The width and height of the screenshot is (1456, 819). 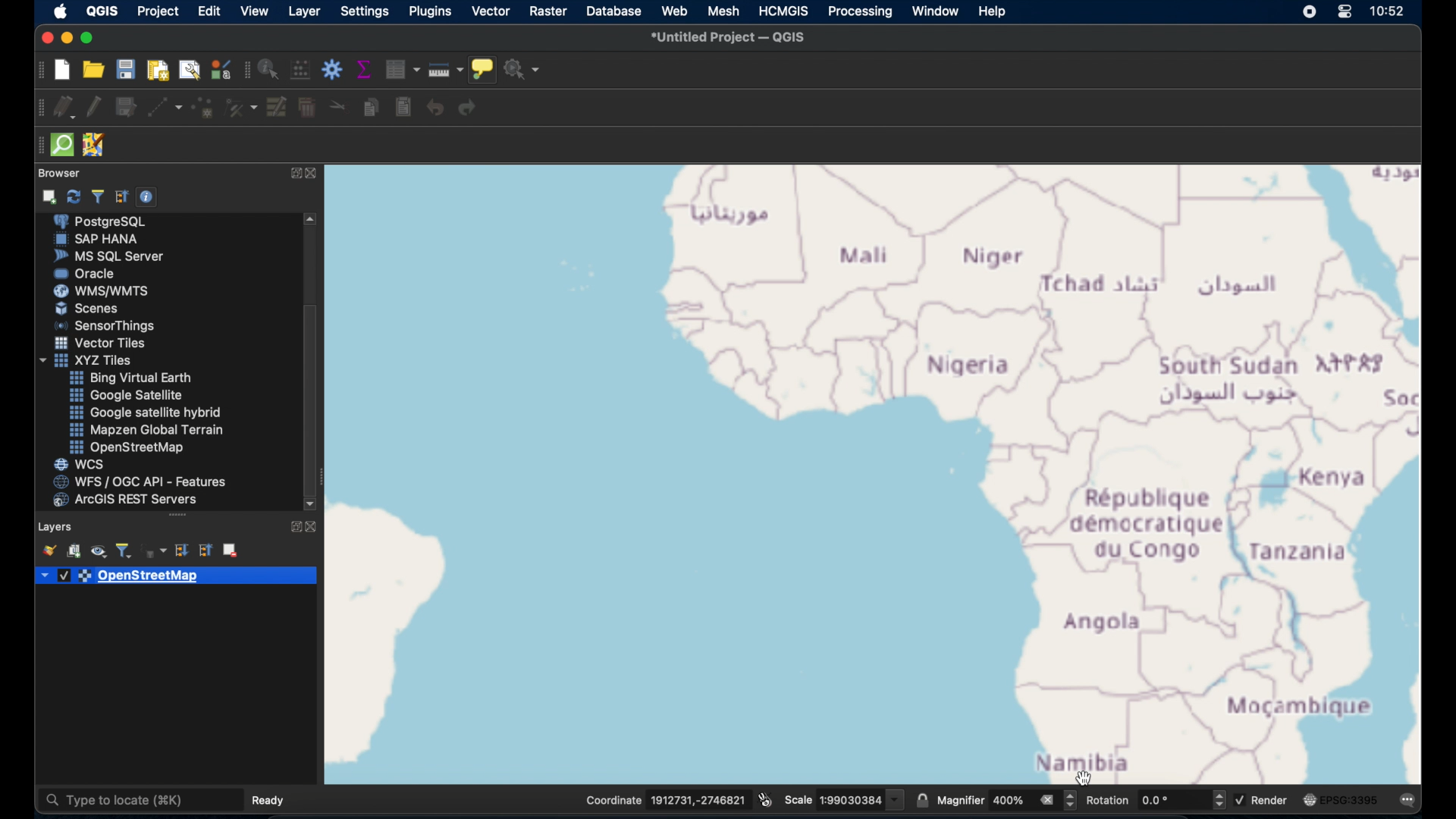 I want to click on type to locate, so click(x=140, y=799).